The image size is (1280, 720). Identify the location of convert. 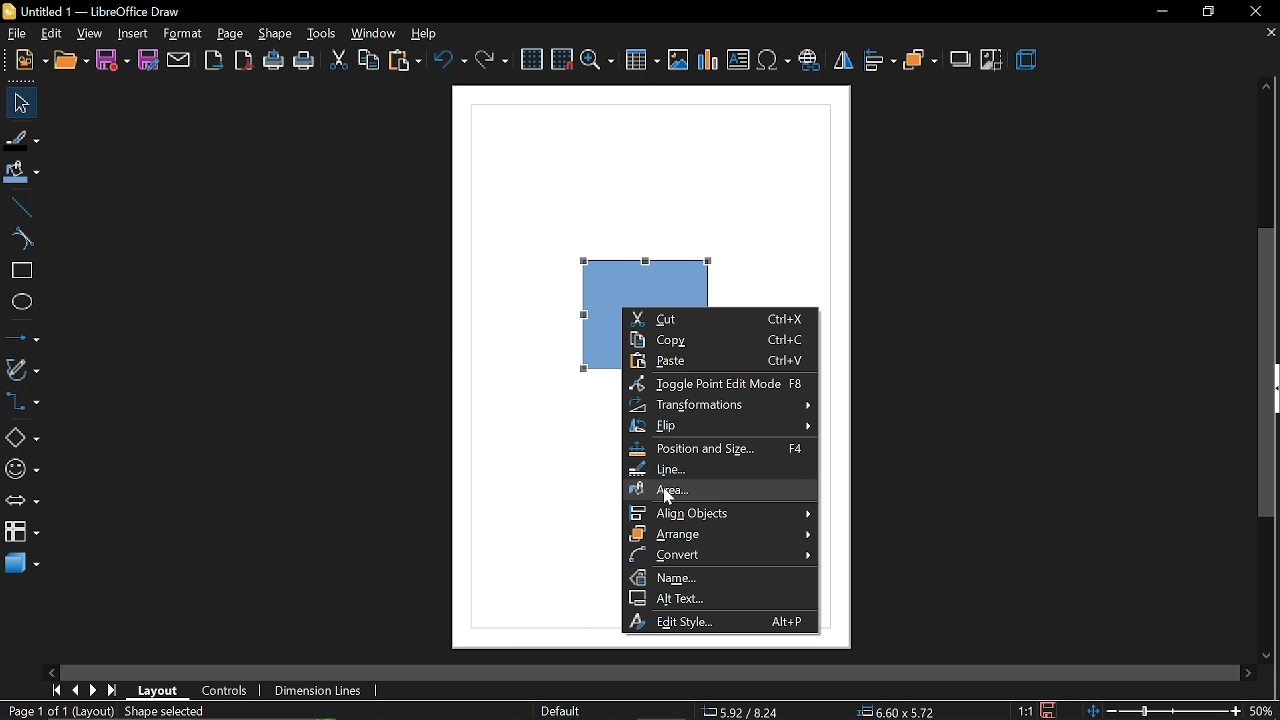
(718, 555).